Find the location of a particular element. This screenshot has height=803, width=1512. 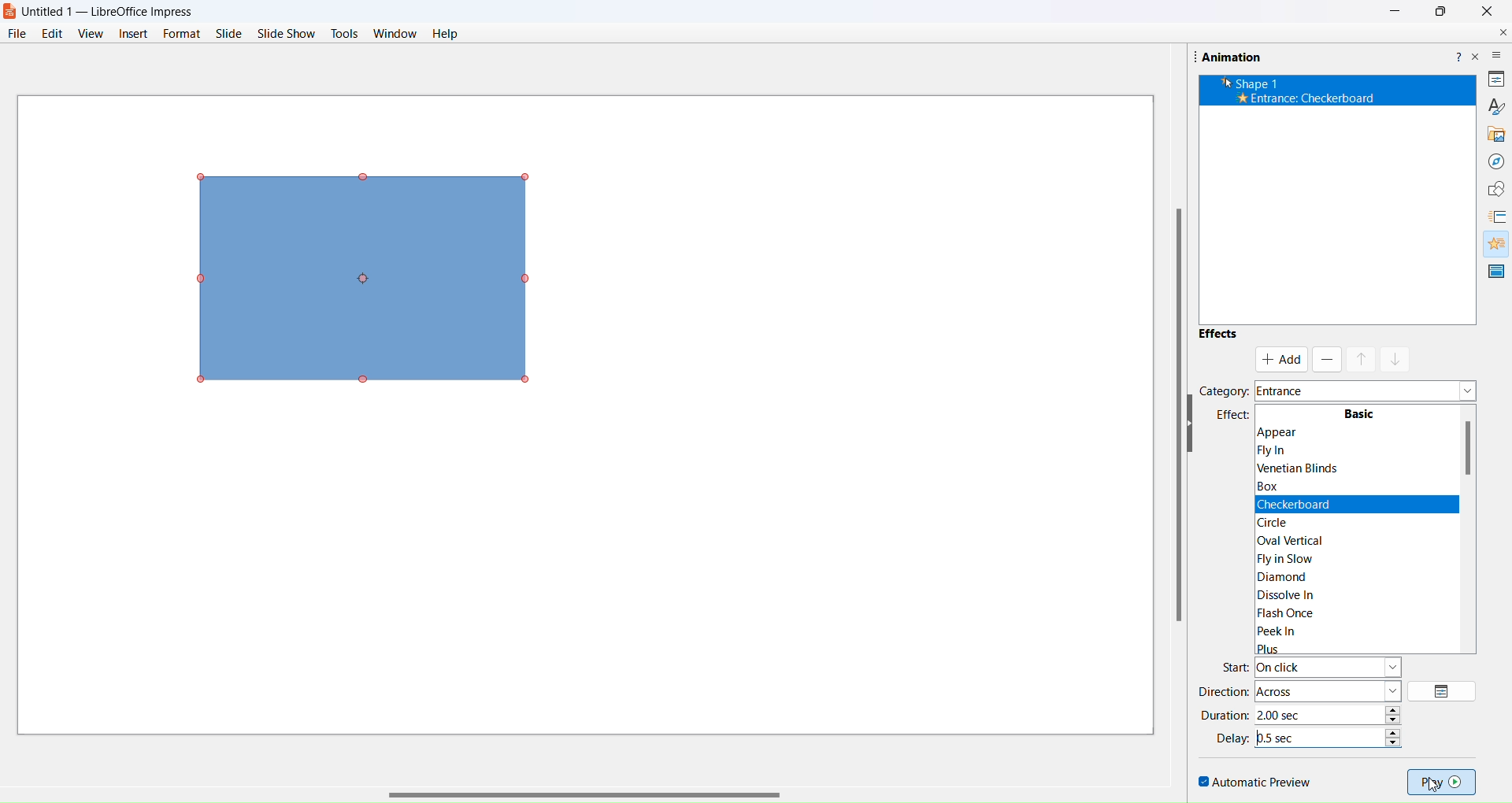

time is located at coordinates (1321, 713).